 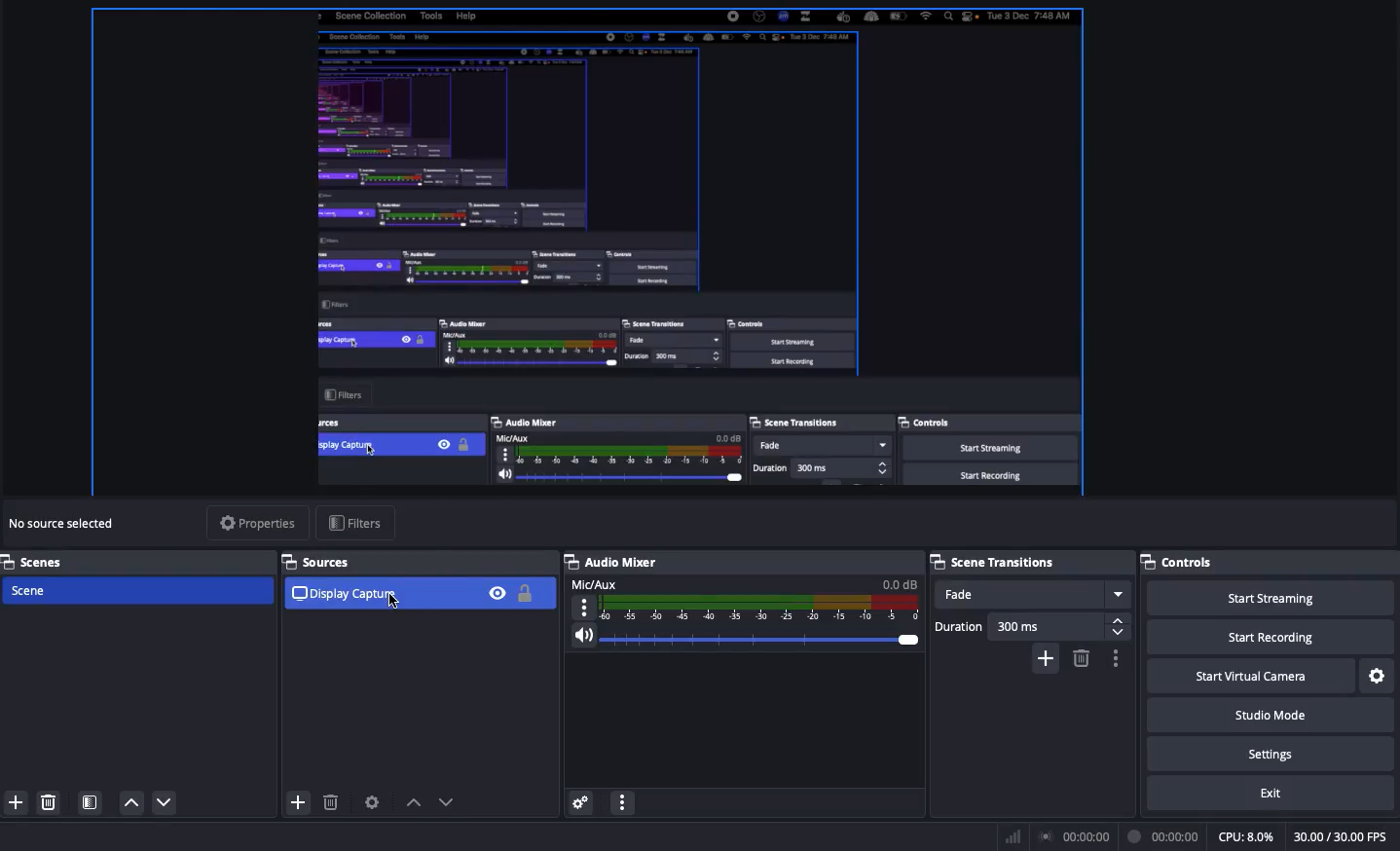 I want to click on Start recording, so click(x=1267, y=637).